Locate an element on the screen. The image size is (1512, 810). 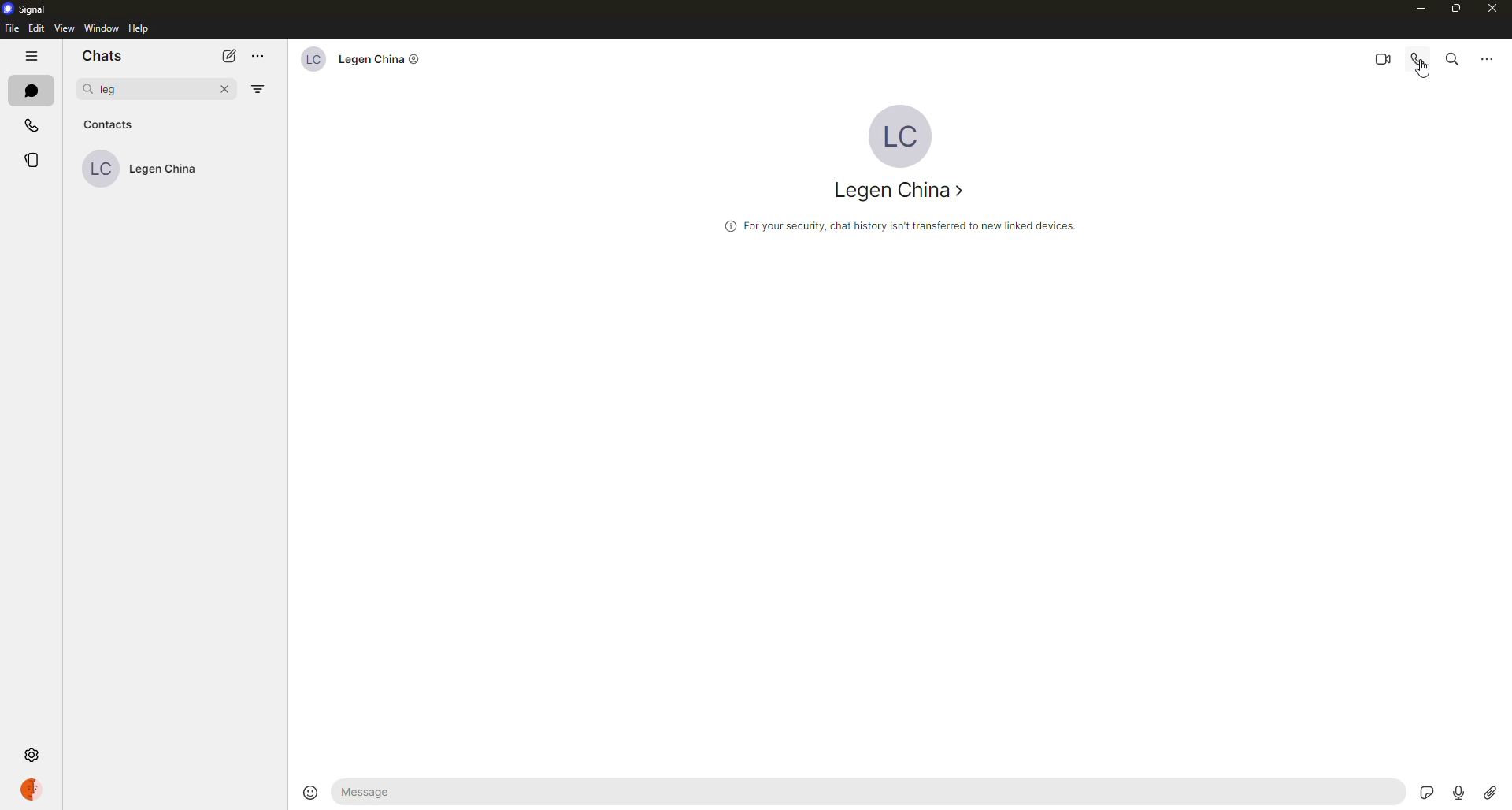
search is located at coordinates (1453, 58).